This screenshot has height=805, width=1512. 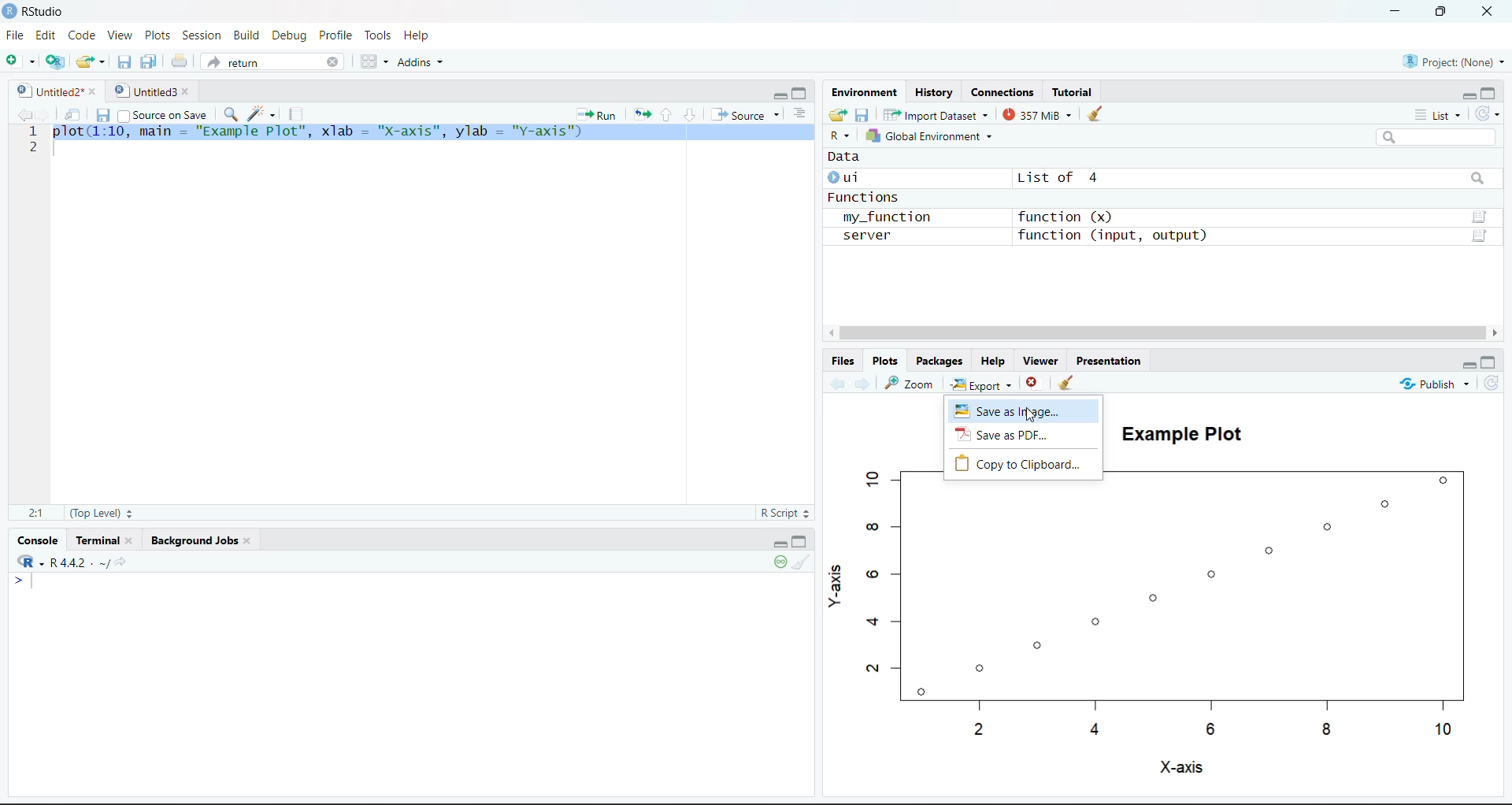 What do you see at coordinates (886, 361) in the screenshot?
I see `Plots` at bounding box center [886, 361].